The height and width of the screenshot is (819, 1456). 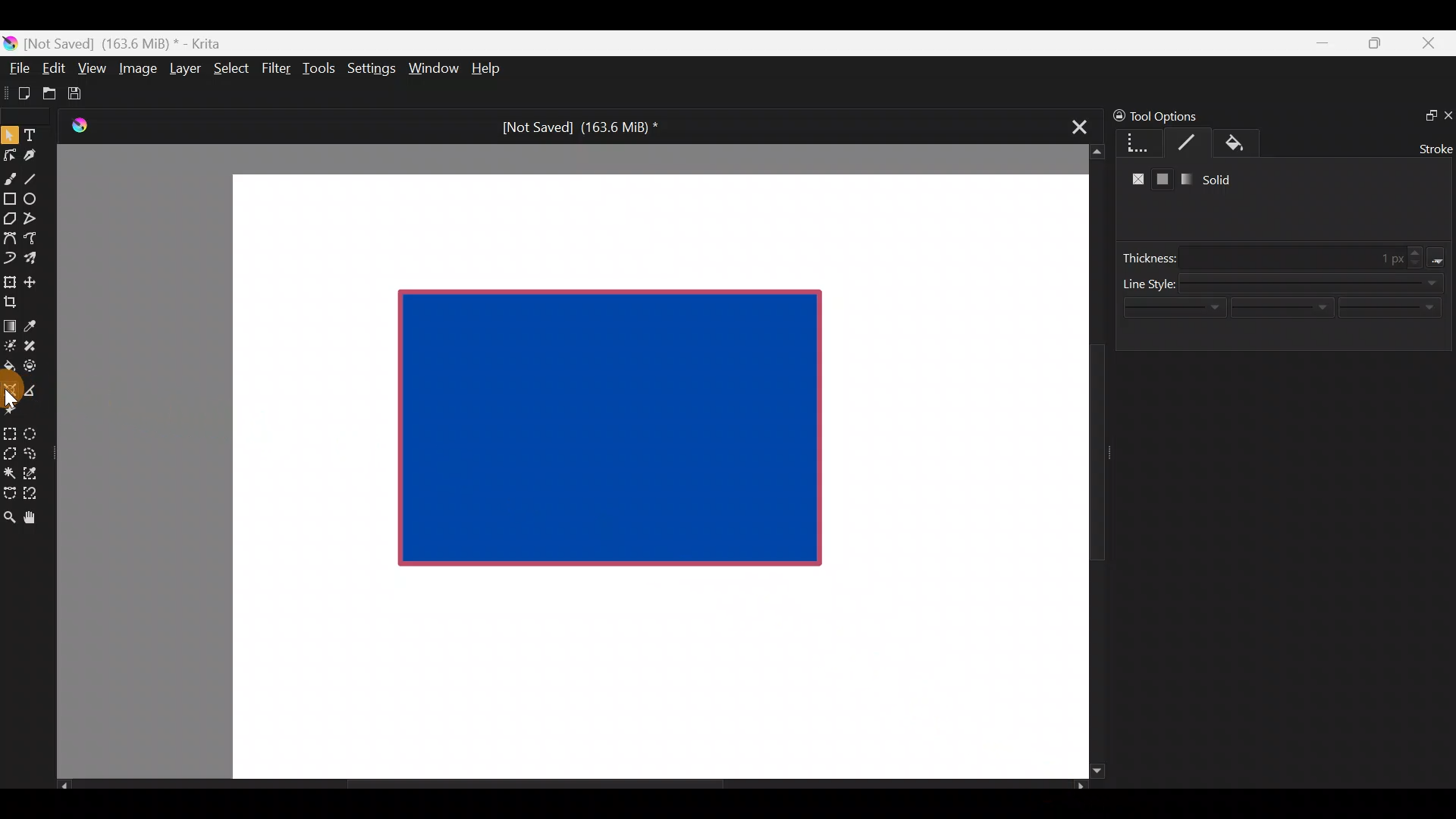 I want to click on Stroke, so click(x=1193, y=143).